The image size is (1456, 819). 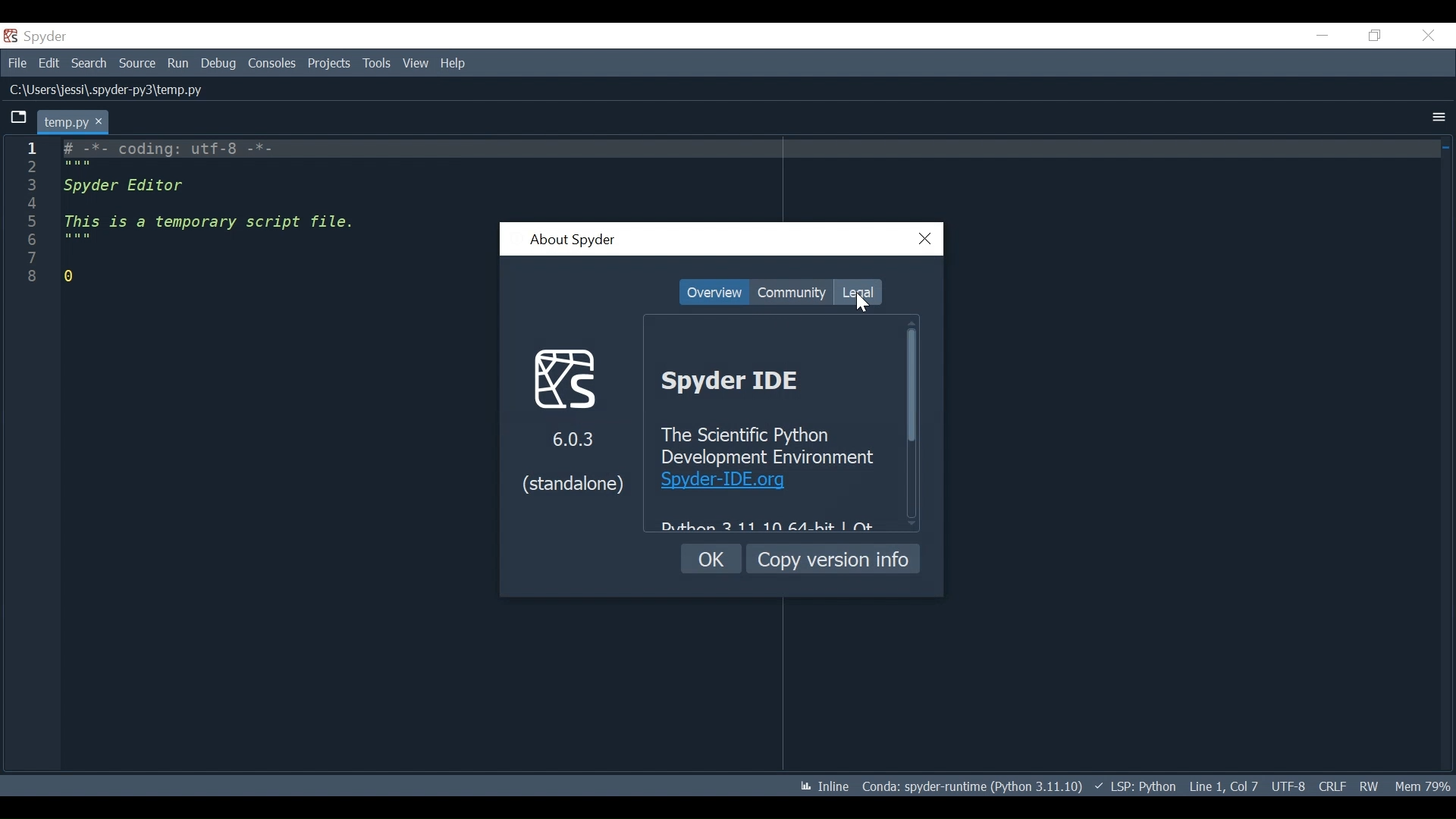 What do you see at coordinates (818, 787) in the screenshot?
I see `Inline` at bounding box center [818, 787].